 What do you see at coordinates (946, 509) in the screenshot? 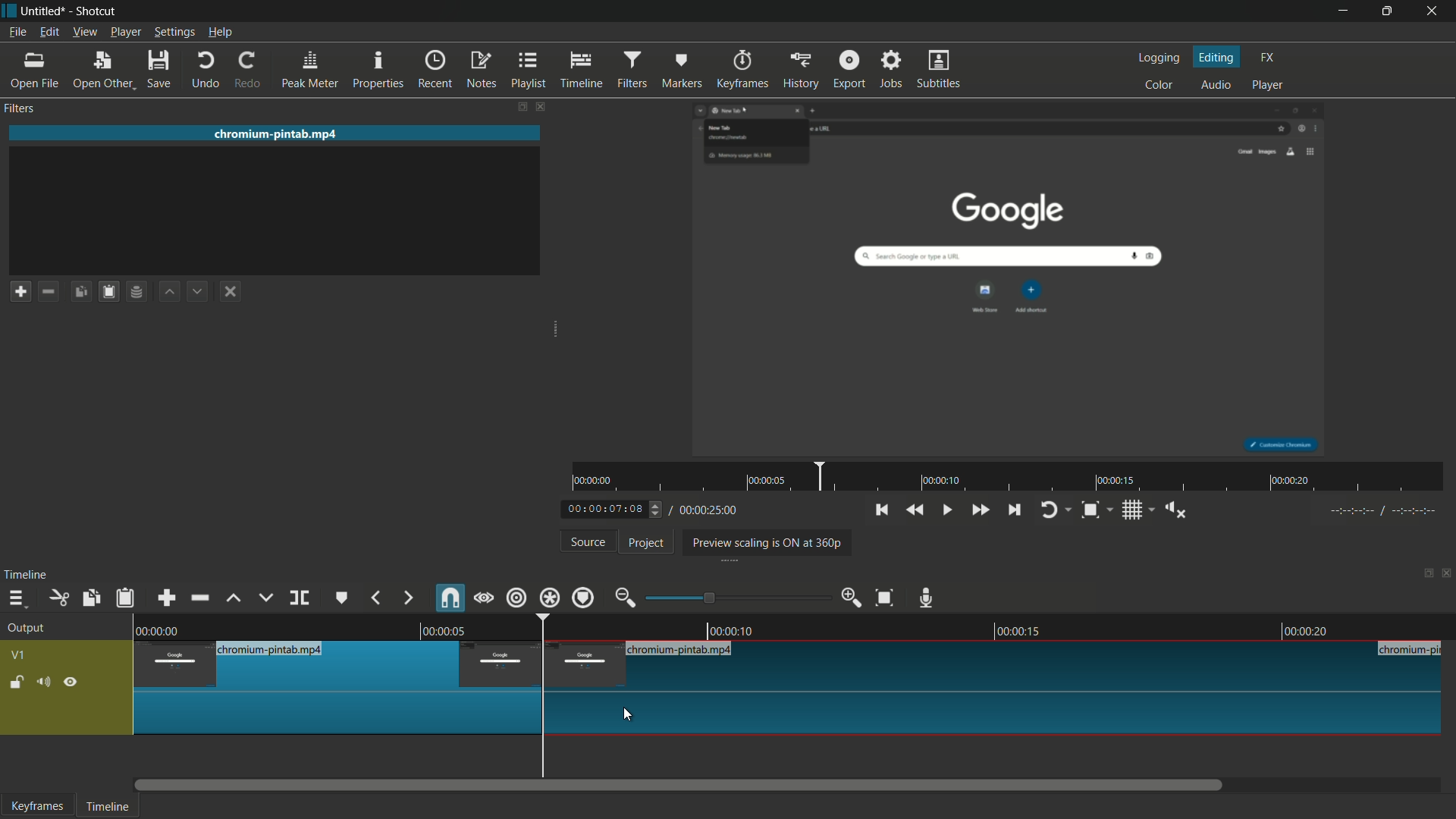
I see `toggle play or pause` at bounding box center [946, 509].